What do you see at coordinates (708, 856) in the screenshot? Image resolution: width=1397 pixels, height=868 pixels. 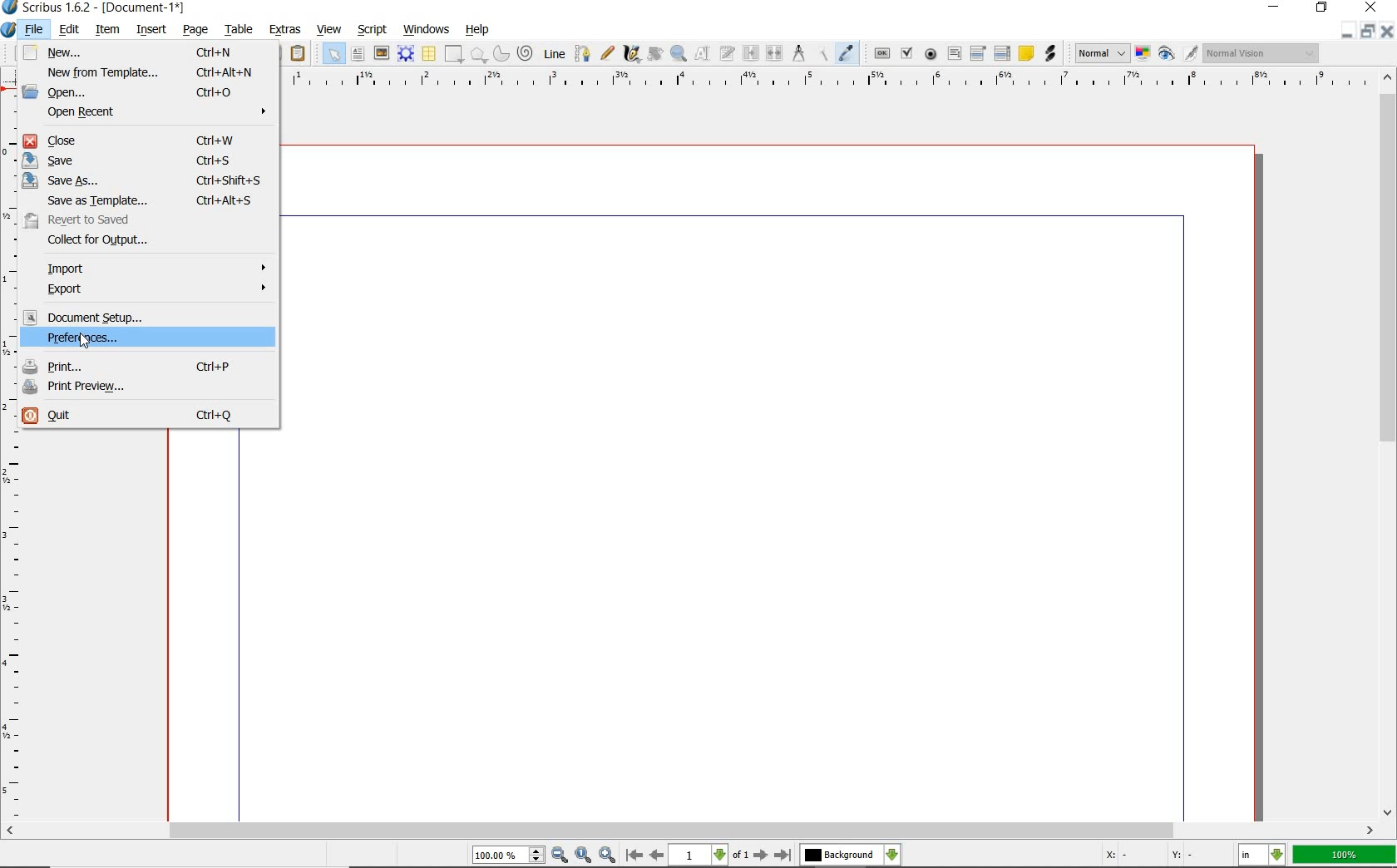 I see `move to next or previous page` at bounding box center [708, 856].